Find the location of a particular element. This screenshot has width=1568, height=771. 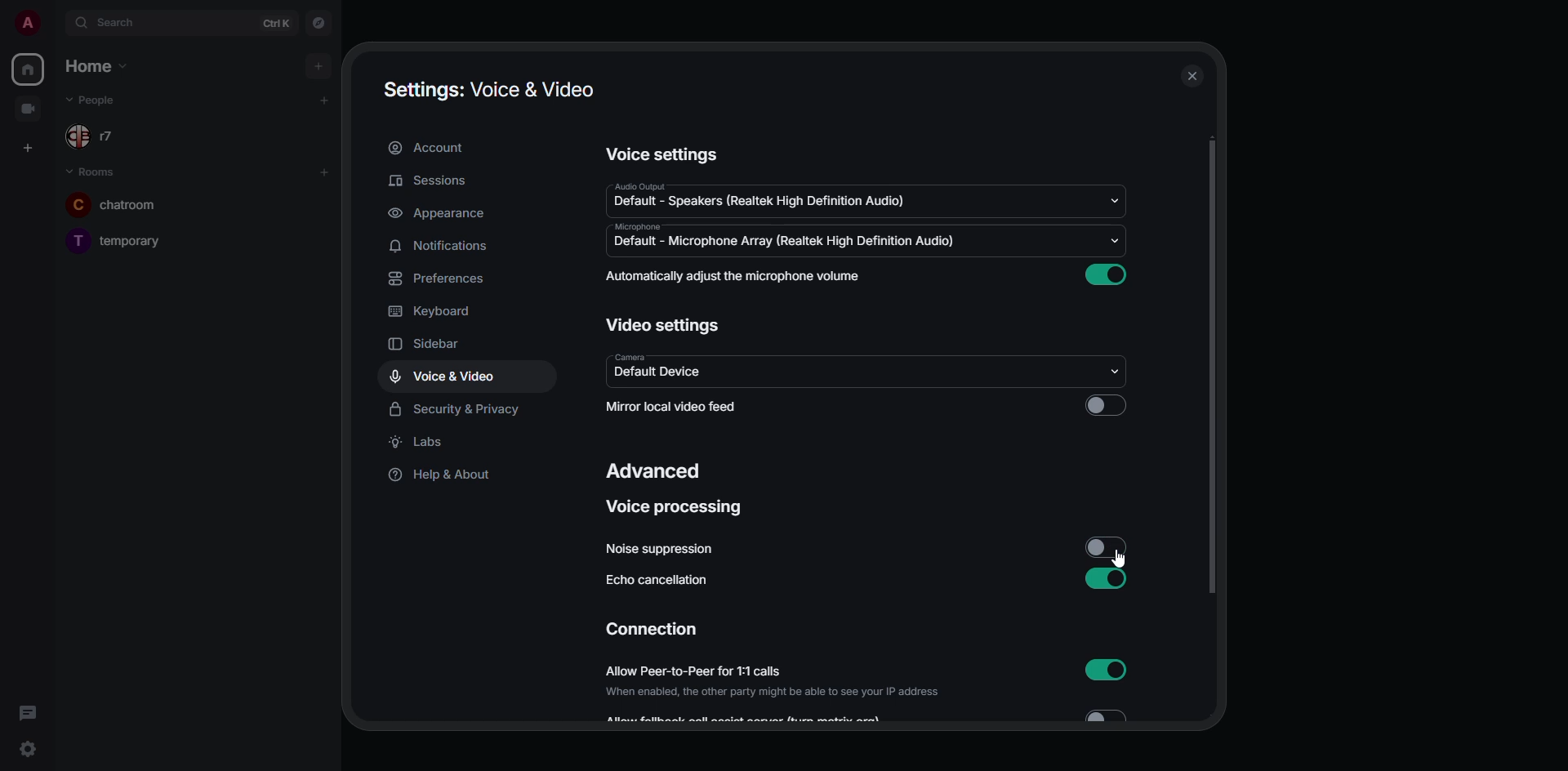

drop down is located at coordinates (1114, 200).